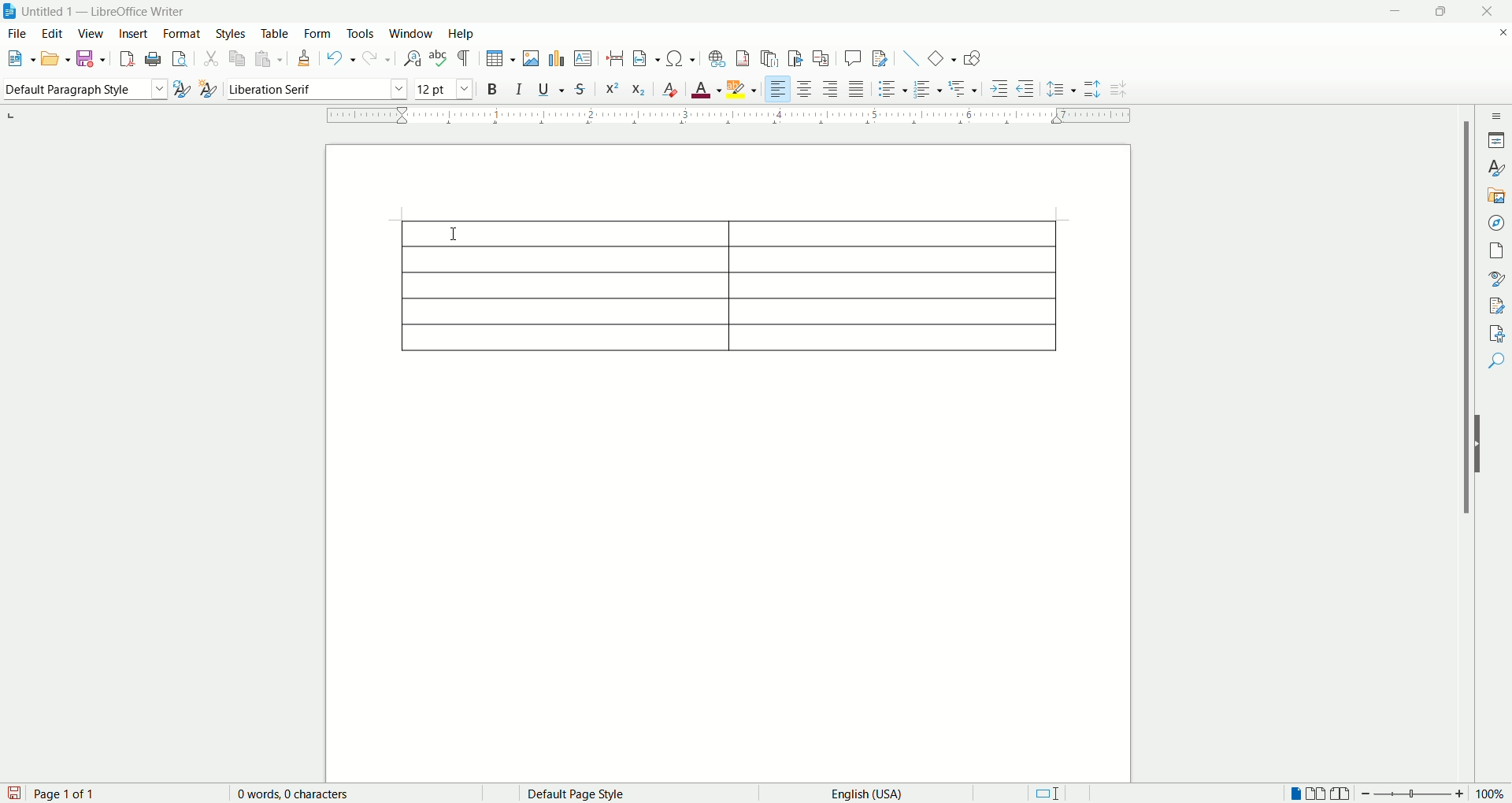  Describe the element at coordinates (239, 57) in the screenshot. I see `copy` at that location.